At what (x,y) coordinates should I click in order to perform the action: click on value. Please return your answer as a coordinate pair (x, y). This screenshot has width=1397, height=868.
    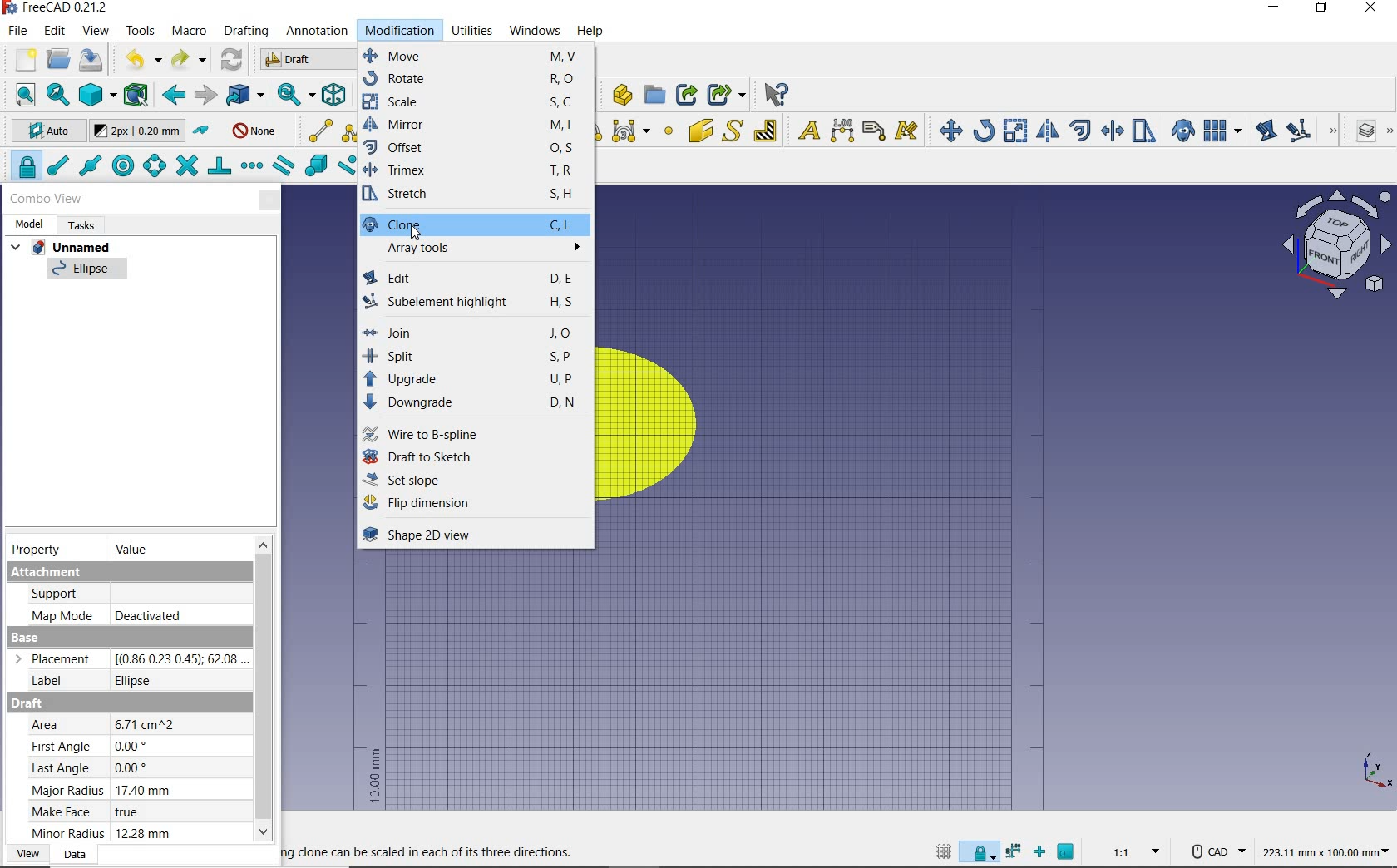
    Looking at the image, I should click on (136, 548).